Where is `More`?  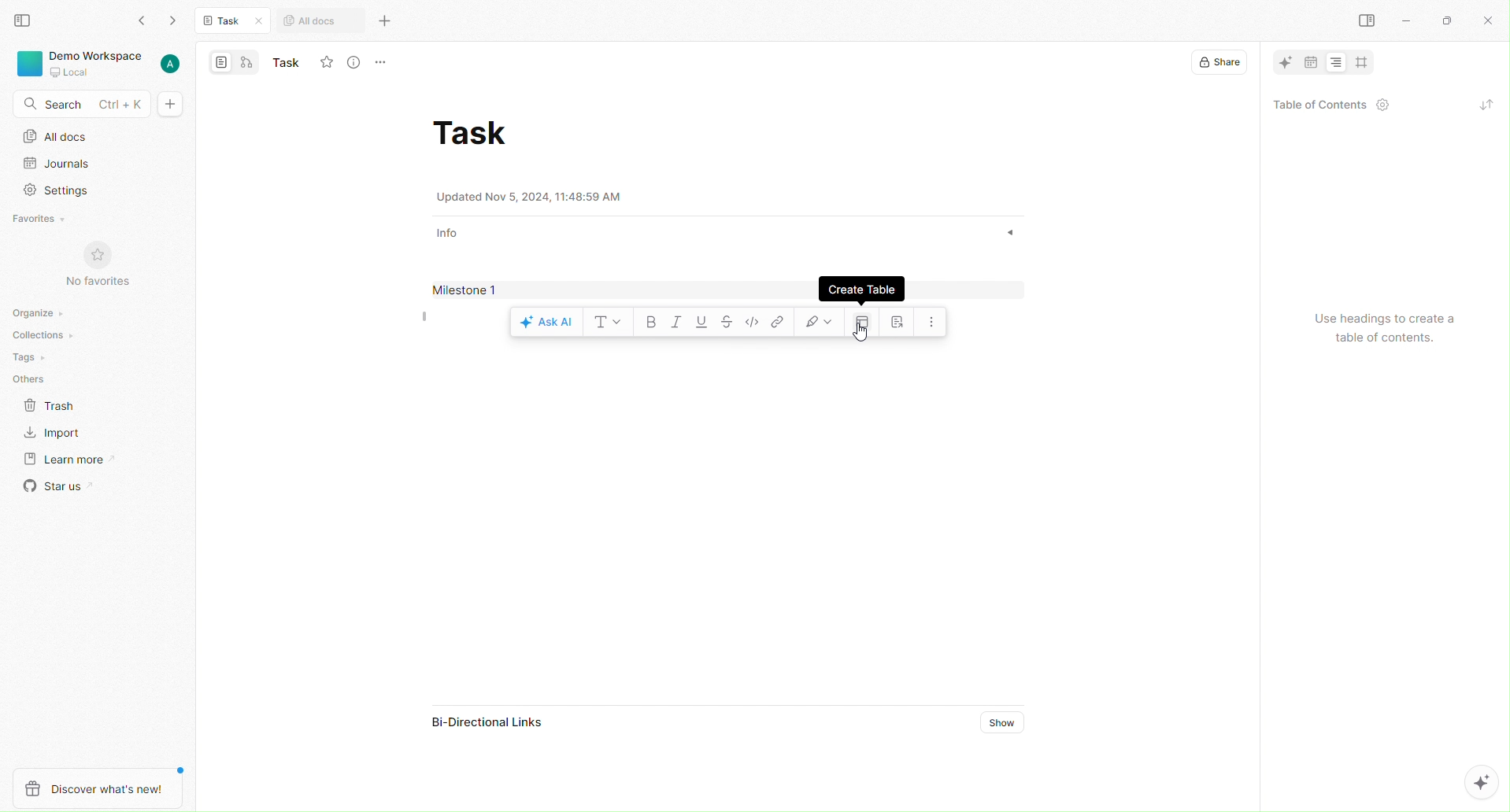
More is located at coordinates (387, 60).